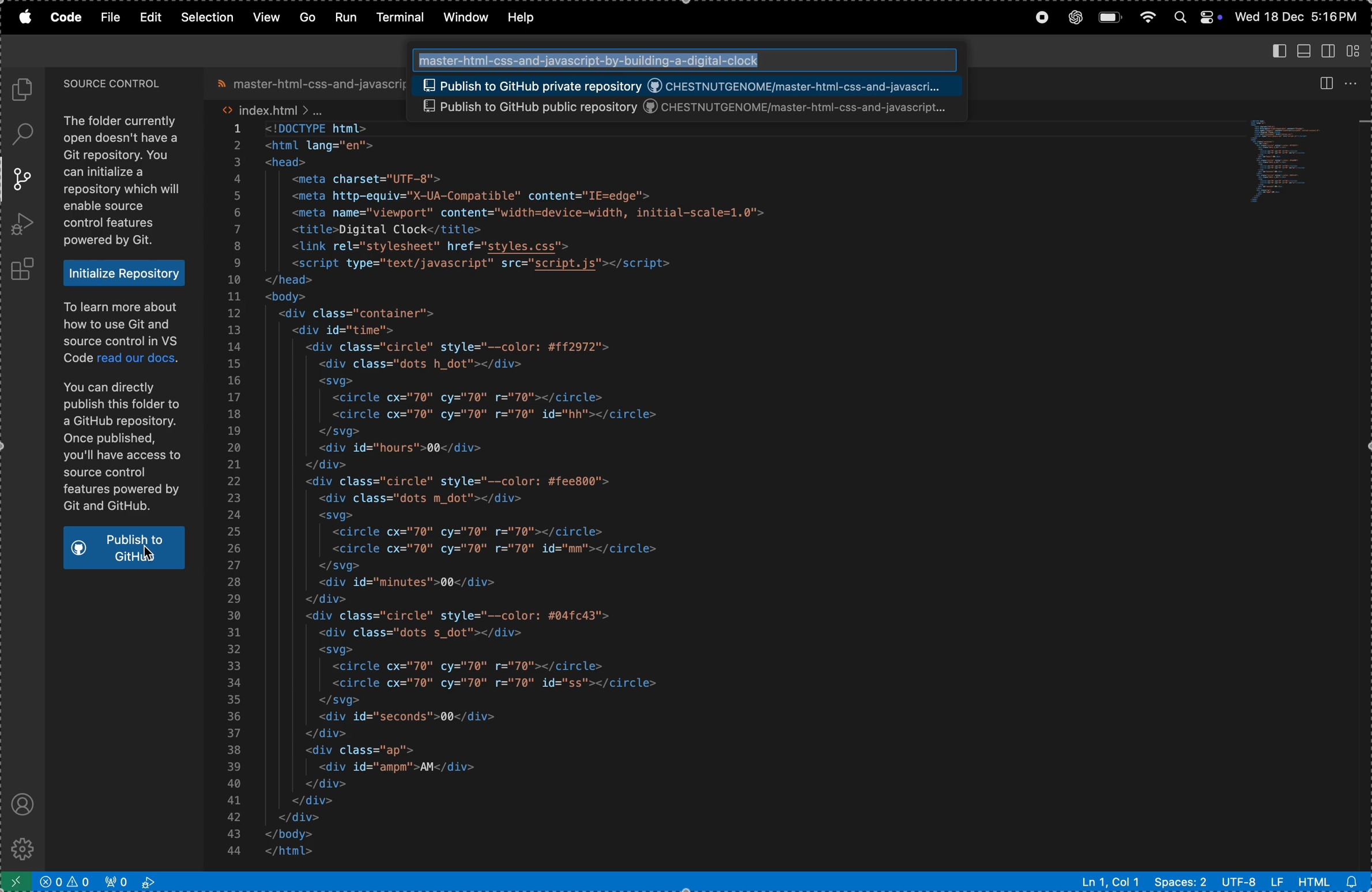 Image resolution: width=1372 pixels, height=892 pixels. I want to click on ‘master-html-css-and-javascript-by-building-a-digital-clock, so click(589, 60).